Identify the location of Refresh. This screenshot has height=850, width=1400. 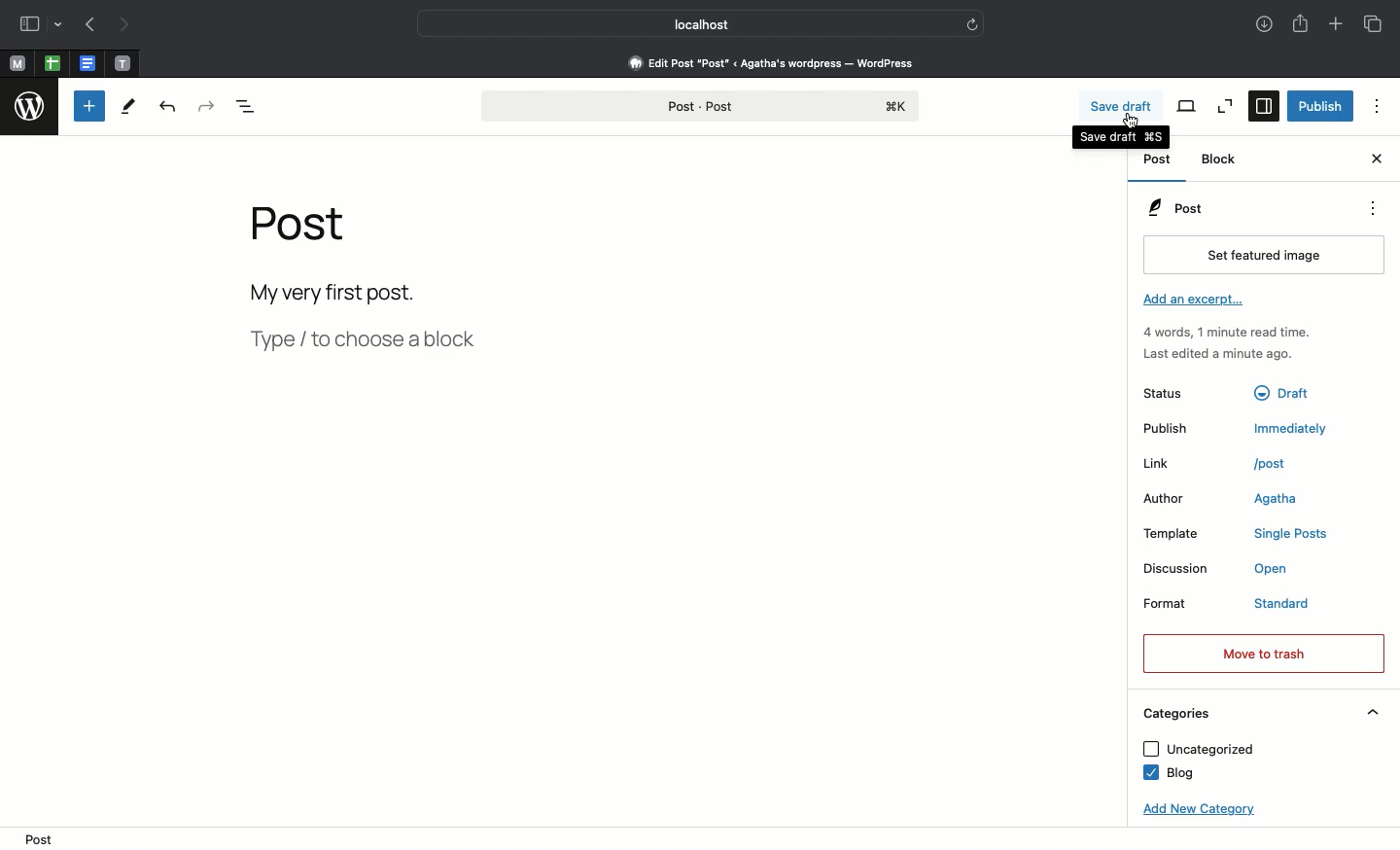
(972, 23).